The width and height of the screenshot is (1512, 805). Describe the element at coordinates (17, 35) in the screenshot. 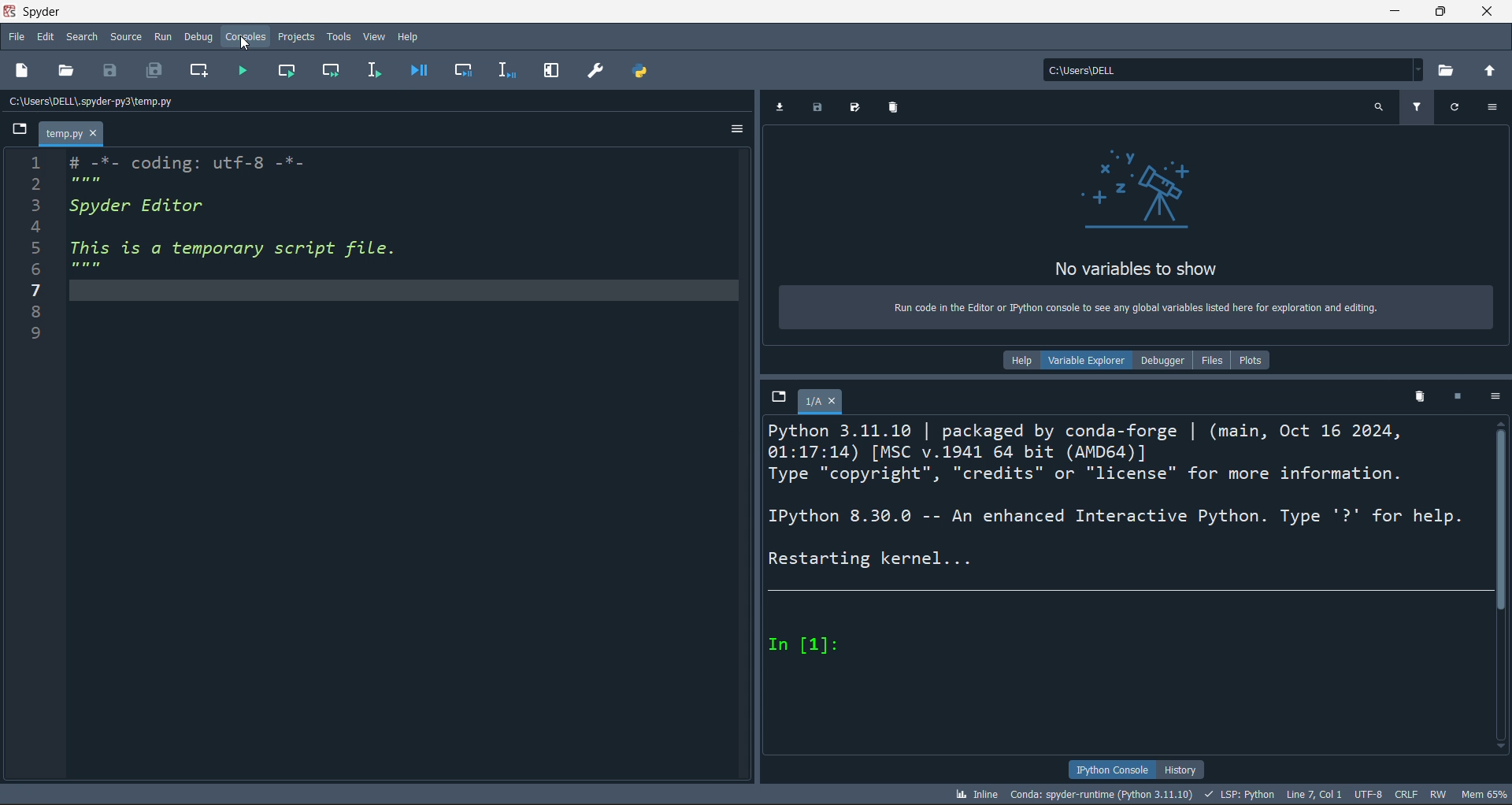

I see `file` at that location.